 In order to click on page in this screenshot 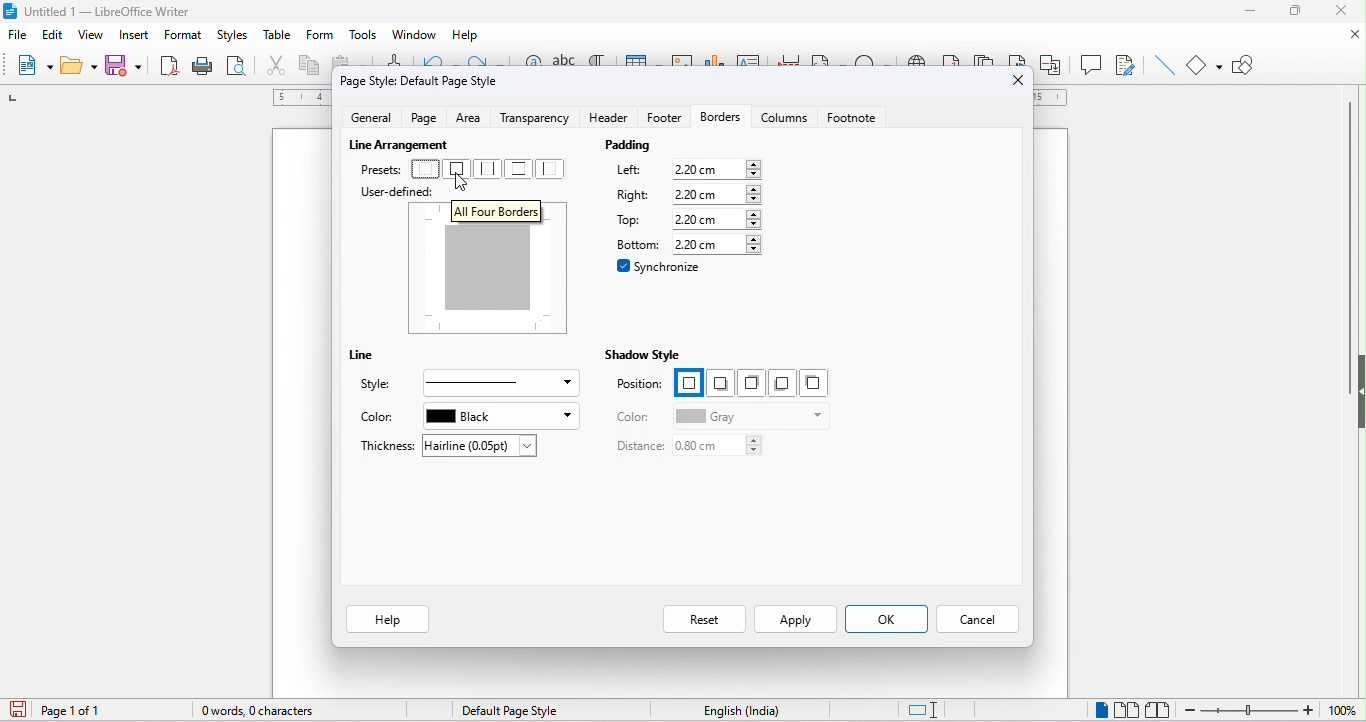, I will do `click(426, 118)`.